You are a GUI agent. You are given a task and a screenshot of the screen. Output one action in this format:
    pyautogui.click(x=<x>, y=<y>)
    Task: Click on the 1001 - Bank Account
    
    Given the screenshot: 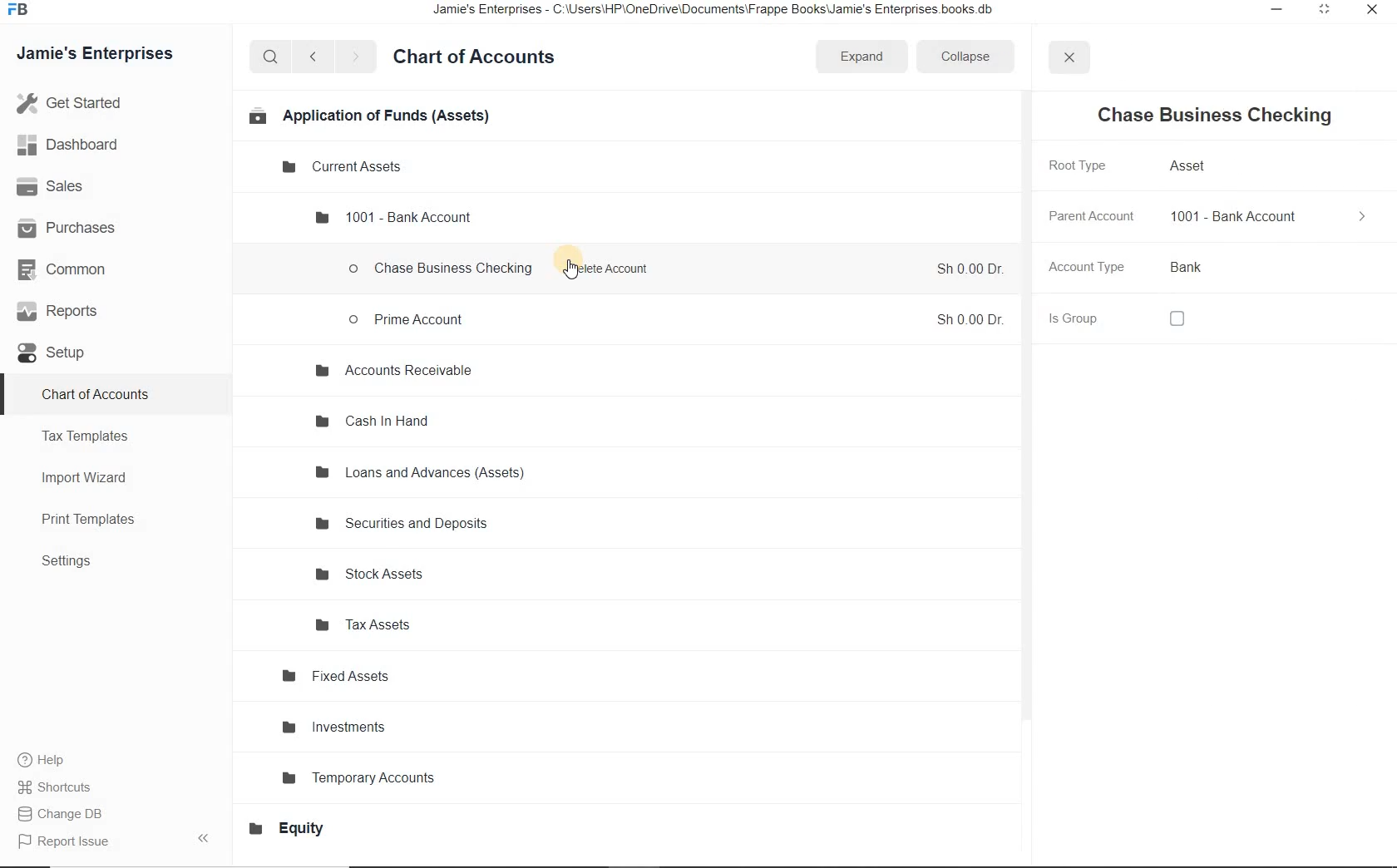 What is the action you would take?
    pyautogui.click(x=1234, y=218)
    